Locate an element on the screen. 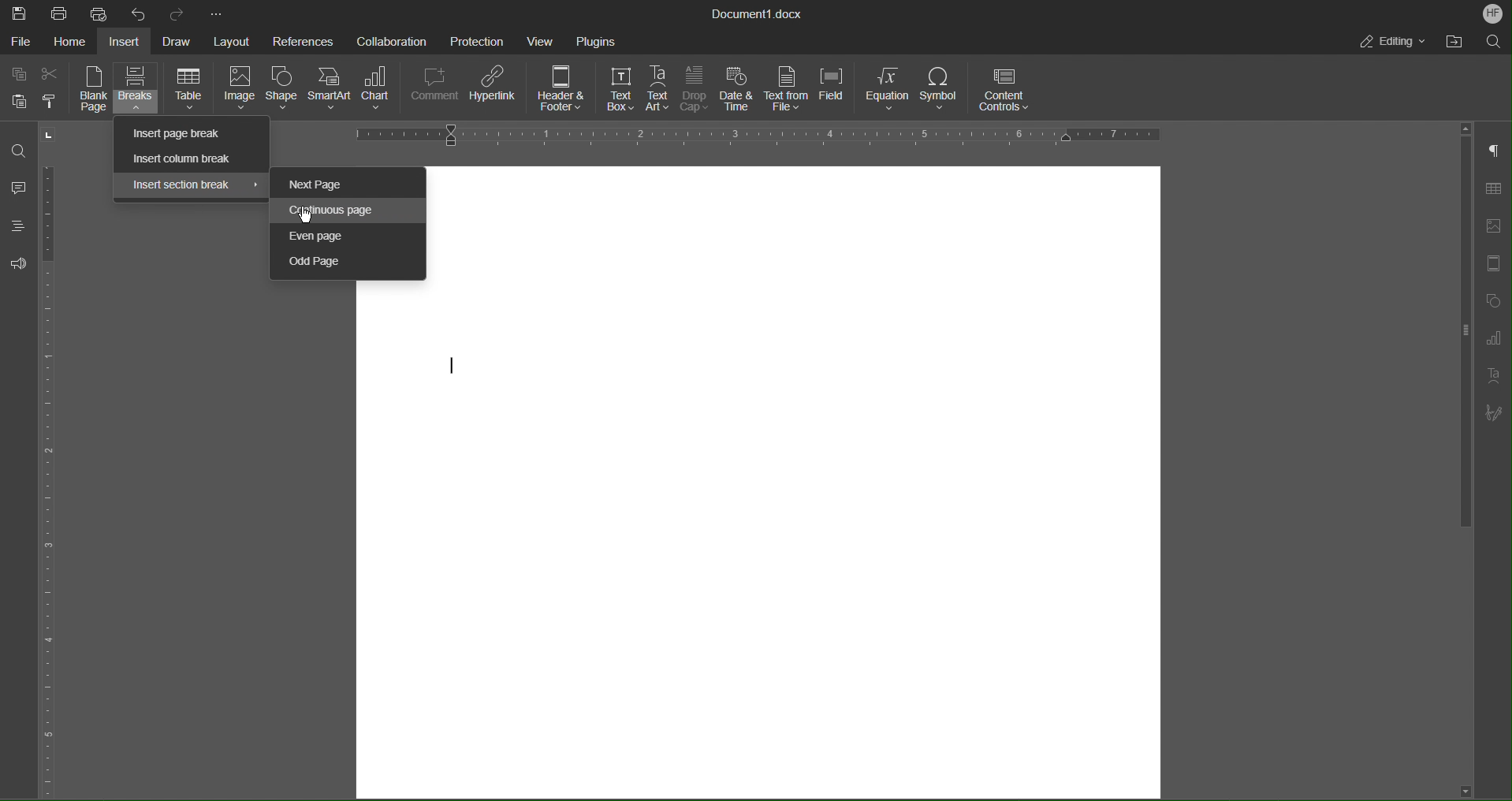 Image resolution: width=1512 pixels, height=801 pixels. Editing is located at coordinates (1392, 42).